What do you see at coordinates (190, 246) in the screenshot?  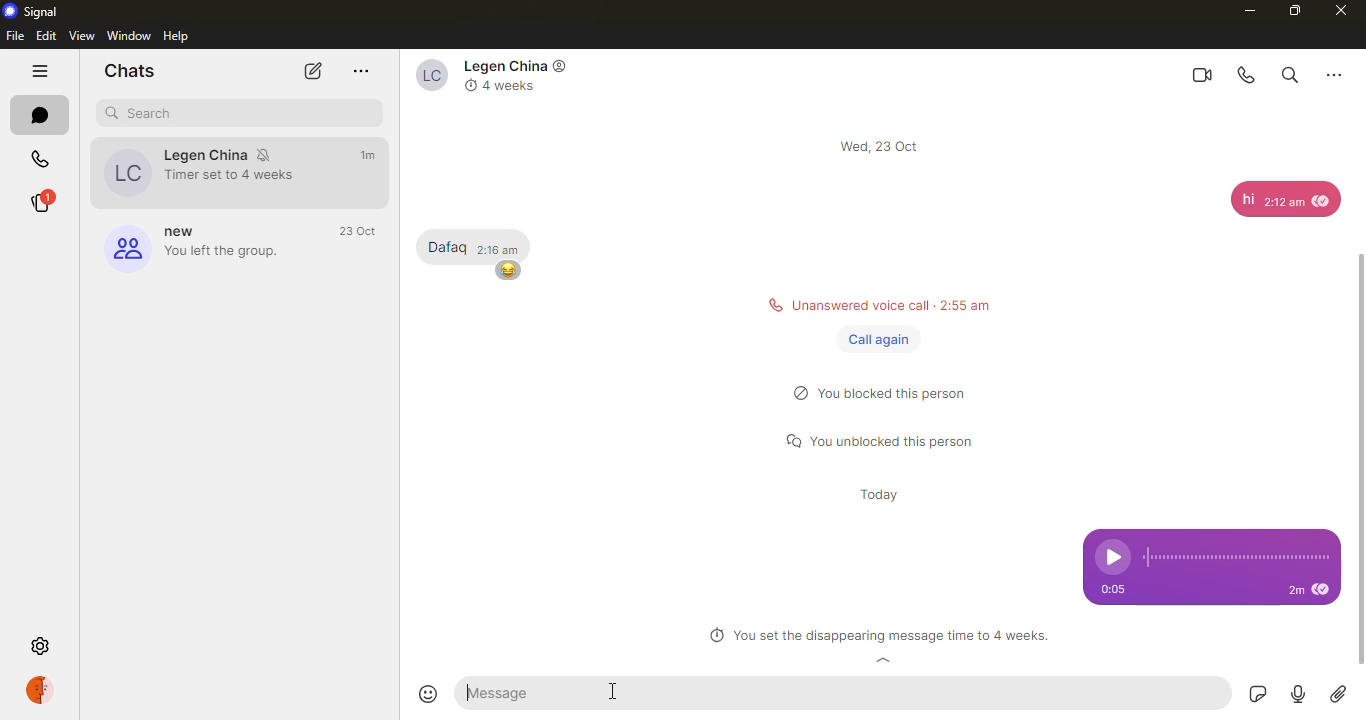 I see `new You left the group.` at bounding box center [190, 246].